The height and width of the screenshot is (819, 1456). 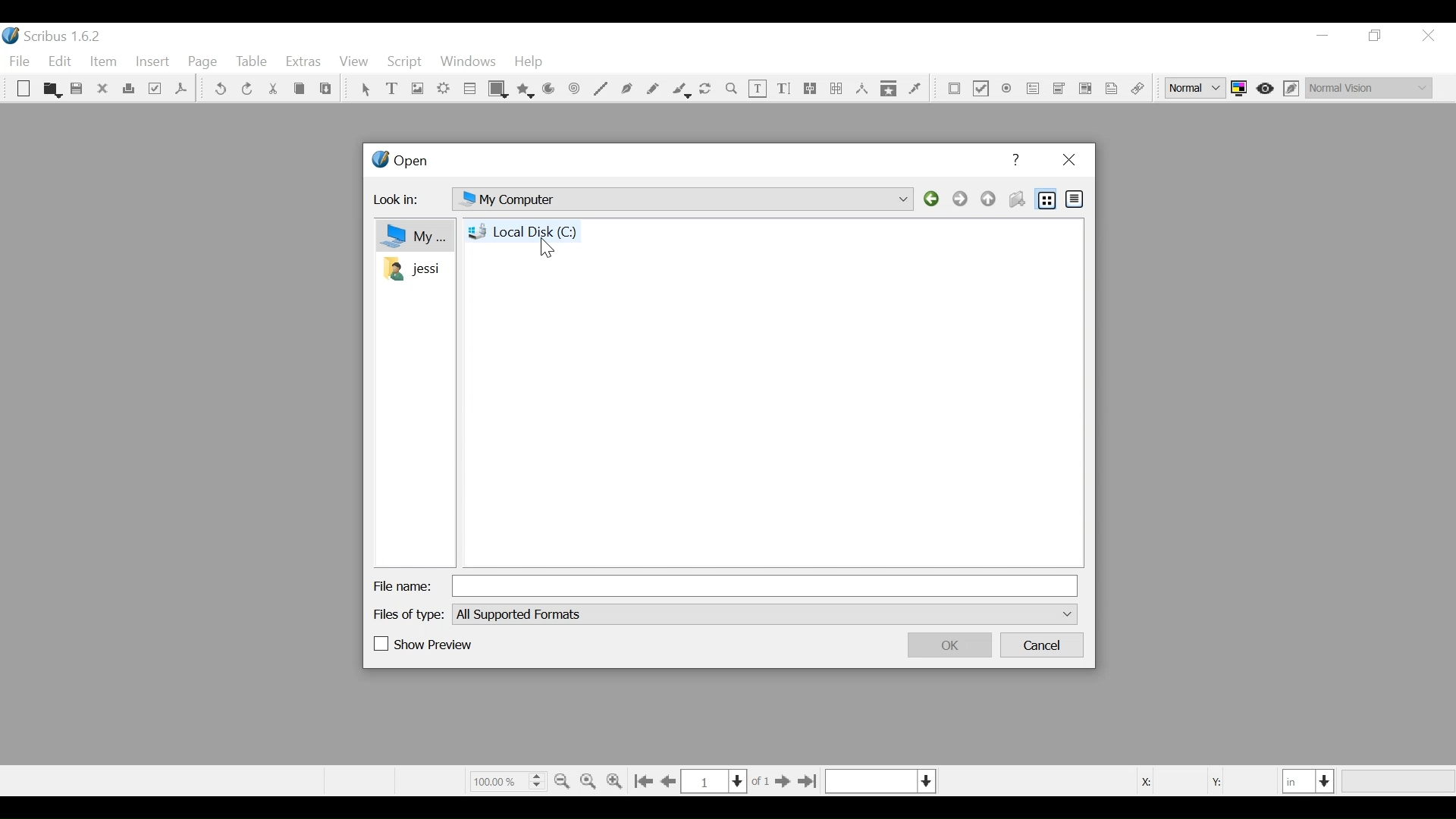 What do you see at coordinates (524, 231) in the screenshot?
I see `Local Disc C` at bounding box center [524, 231].